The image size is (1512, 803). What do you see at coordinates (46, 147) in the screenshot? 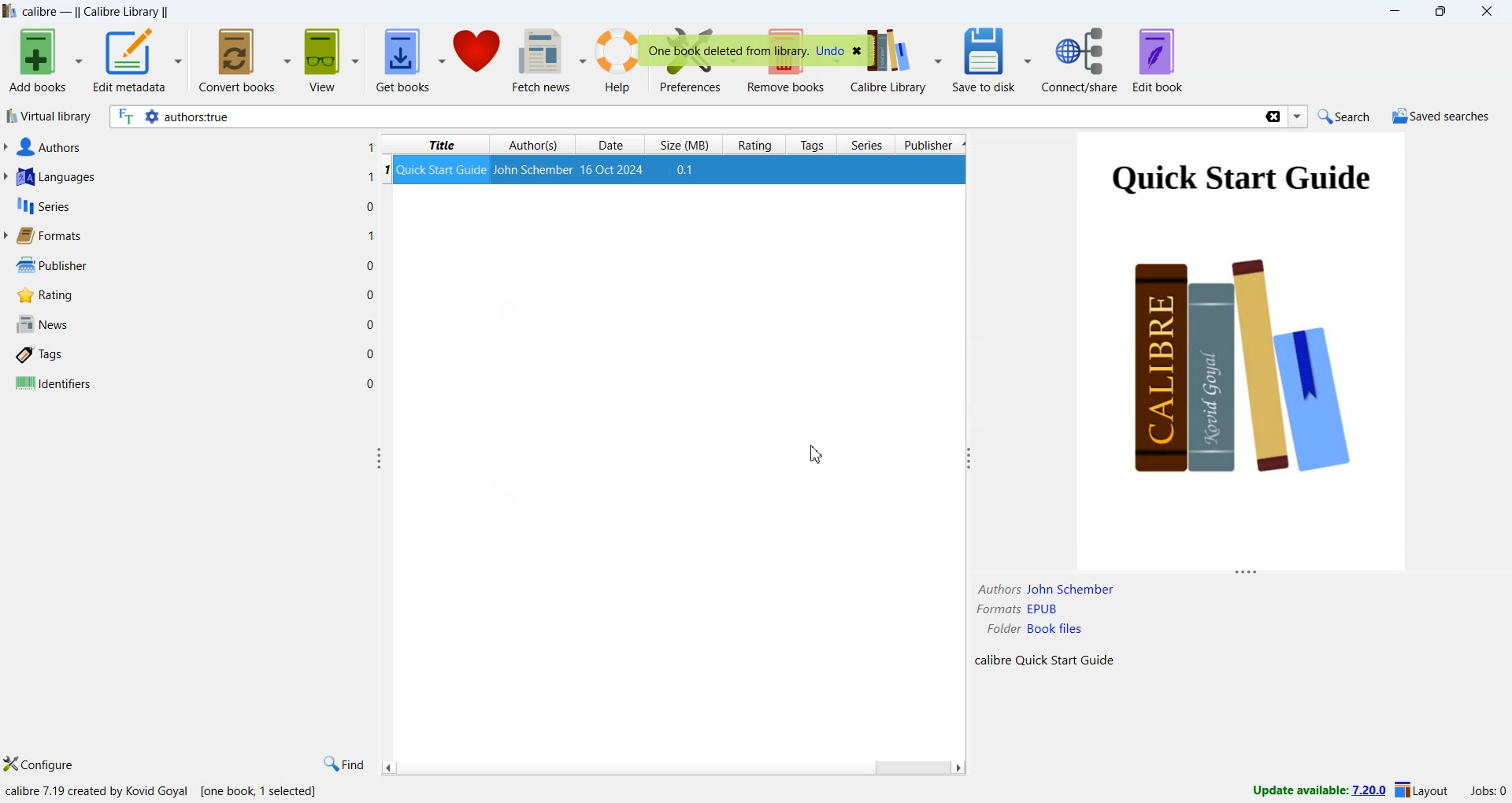
I see `authors` at bounding box center [46, 147].